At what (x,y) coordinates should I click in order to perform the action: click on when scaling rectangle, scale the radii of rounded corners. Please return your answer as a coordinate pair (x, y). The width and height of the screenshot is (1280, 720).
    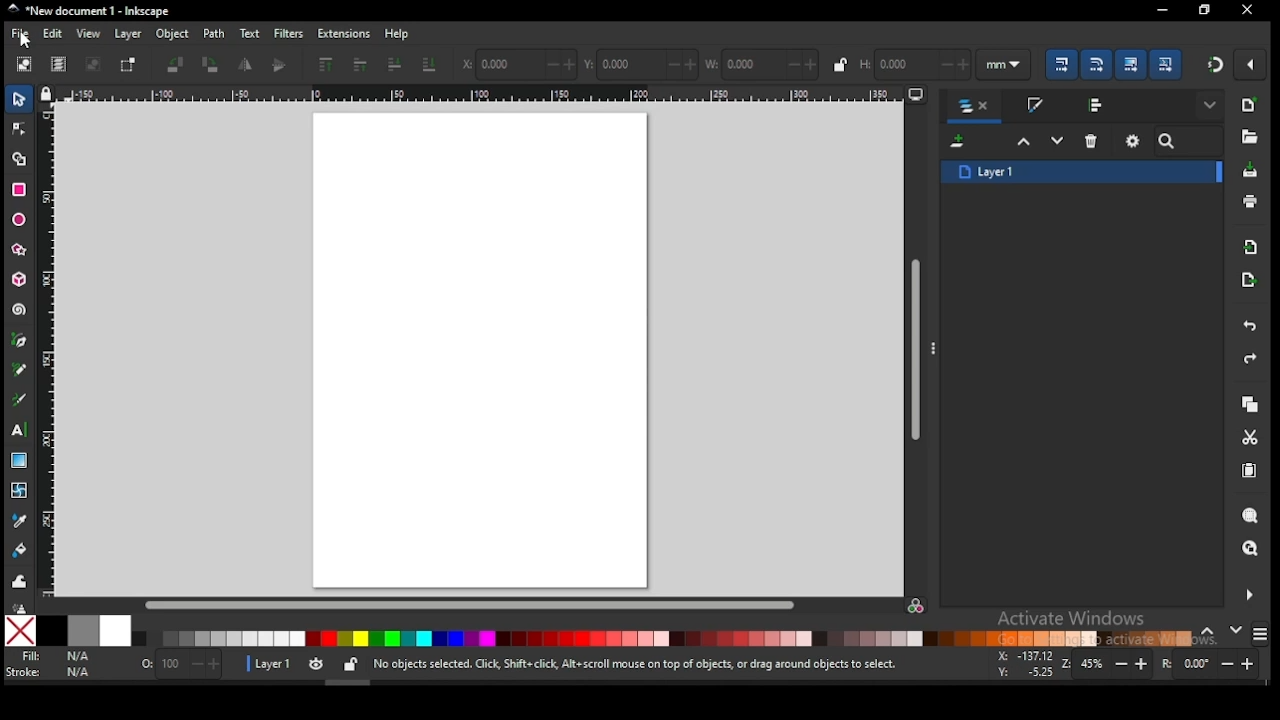
    Looking at the image, I should click on (1095, 64).